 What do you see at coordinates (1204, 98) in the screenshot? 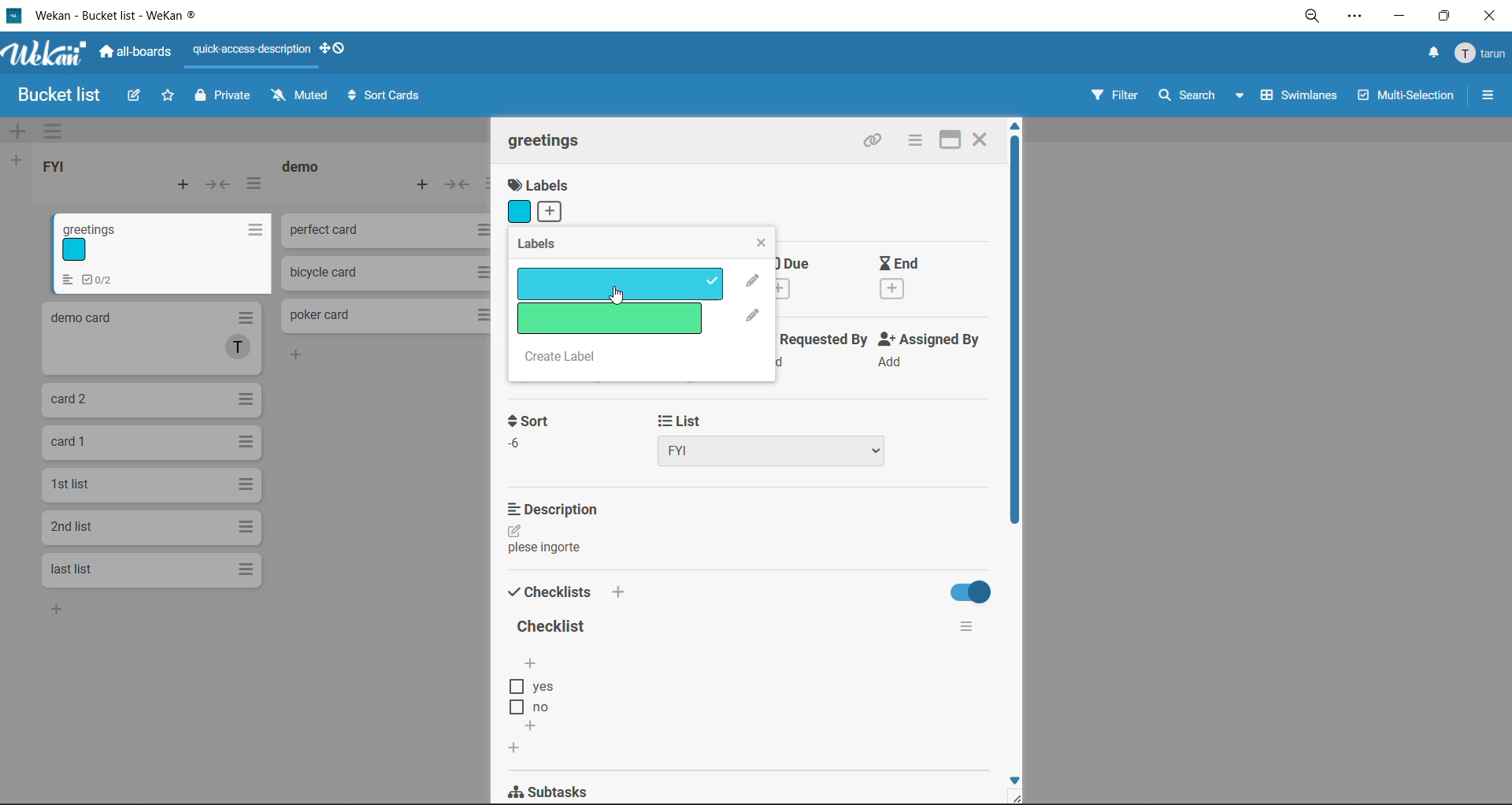
I see `search` at bounding box center [1204, 98].